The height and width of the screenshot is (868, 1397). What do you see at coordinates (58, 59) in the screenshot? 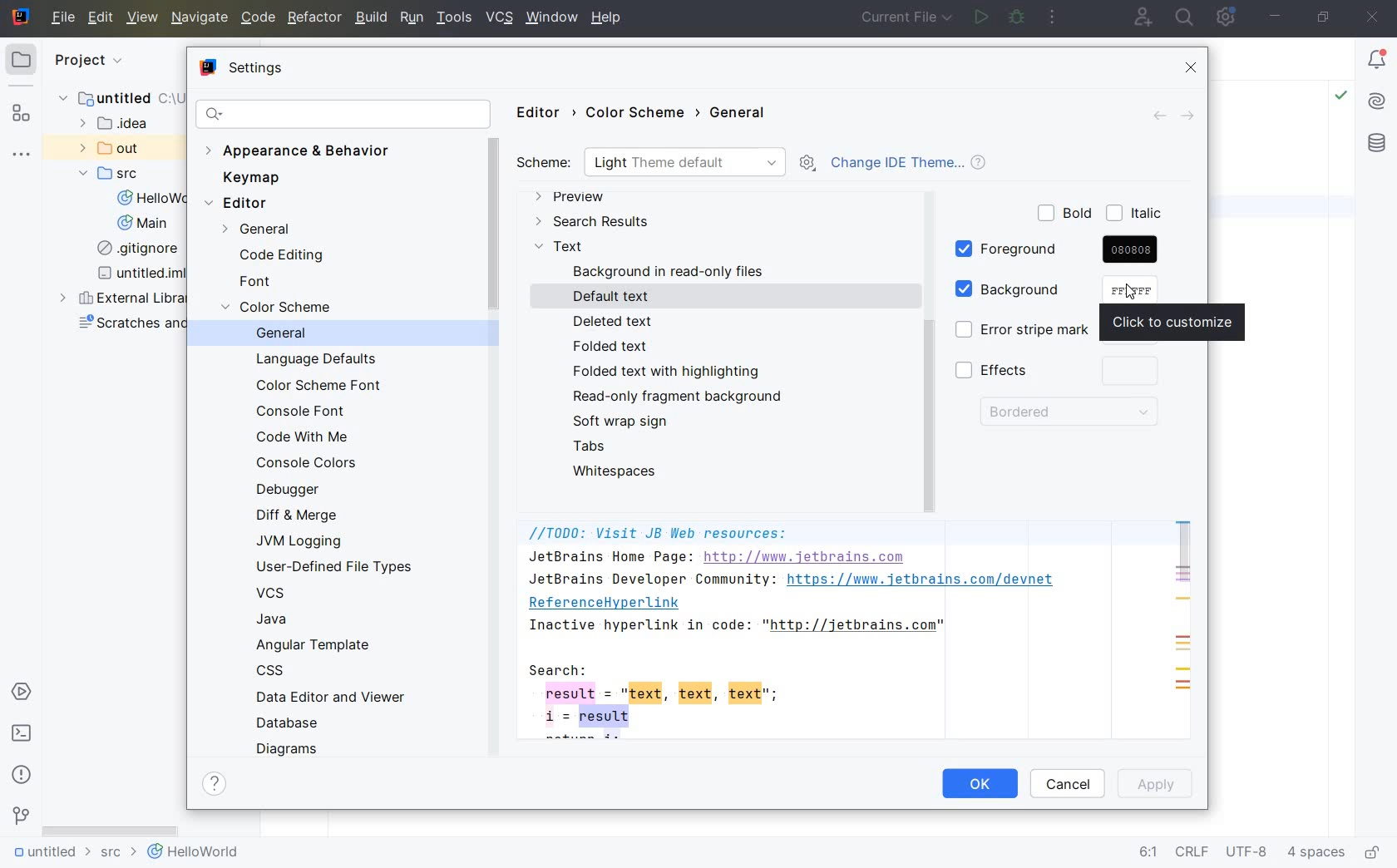
I see `project` at bounding box center [58, 59].